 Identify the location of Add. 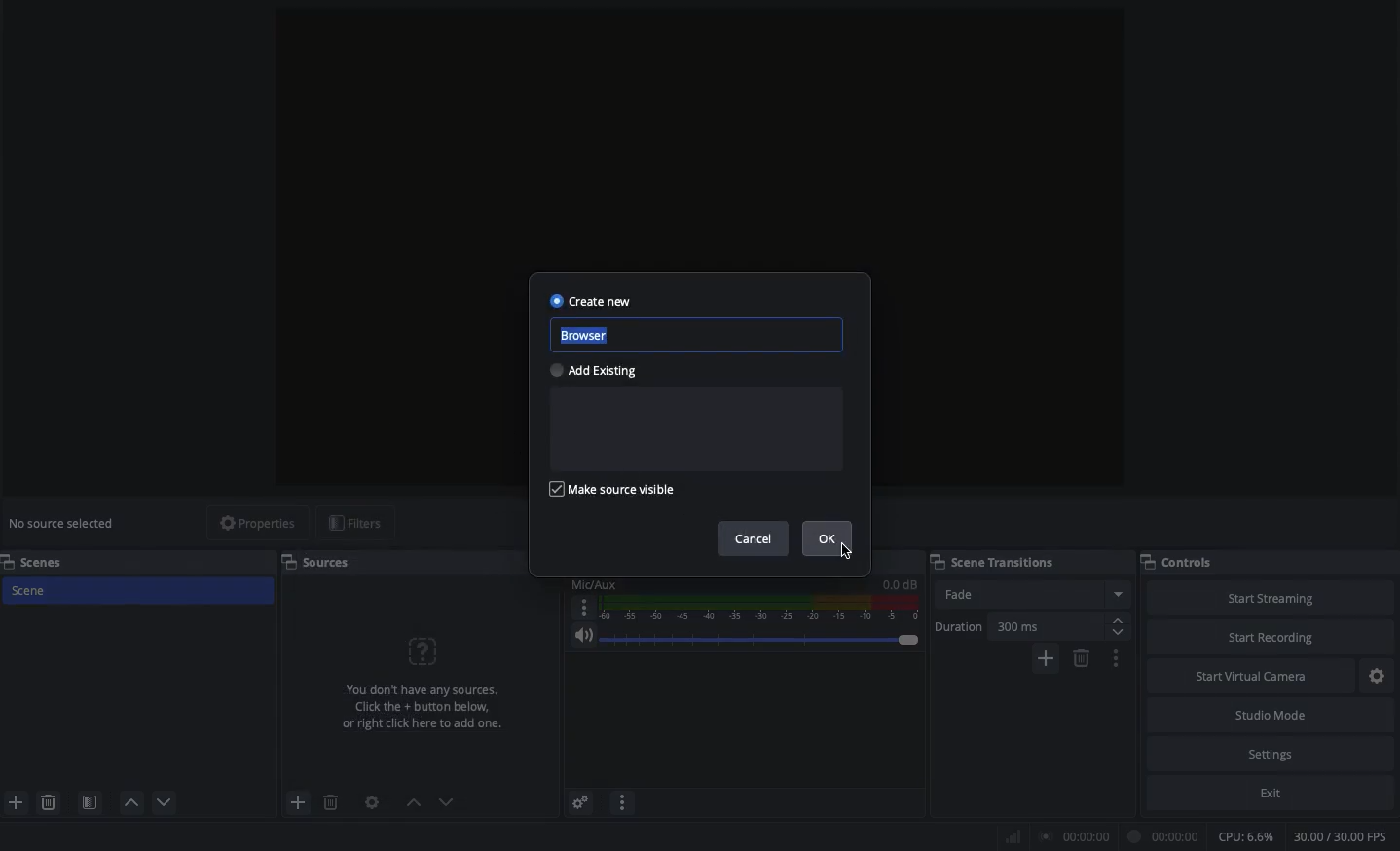
(1046, 658).